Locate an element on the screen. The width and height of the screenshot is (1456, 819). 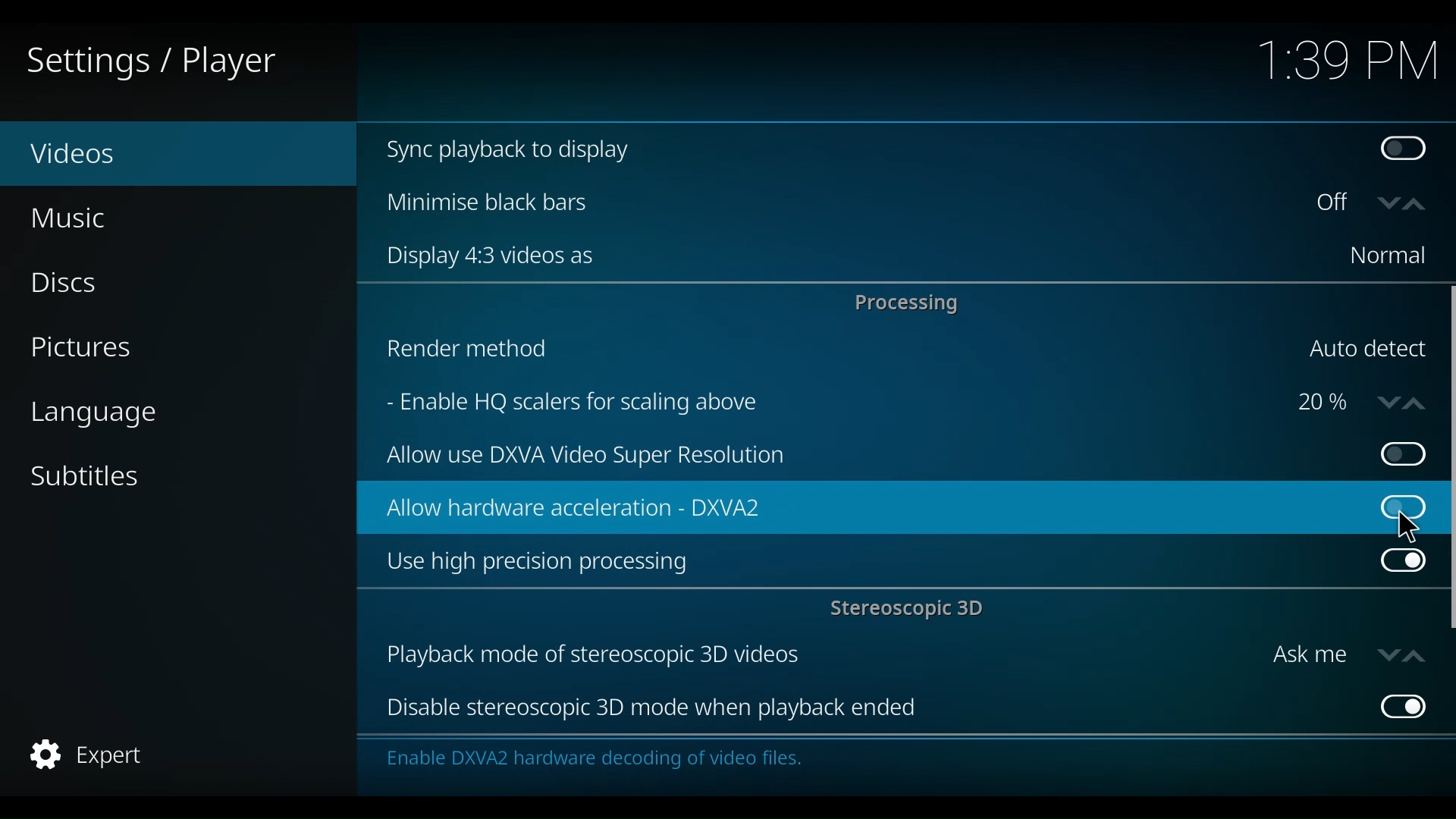
Disable stereoscopic 3D mode when playback ended is located at coordinates (871, 709).